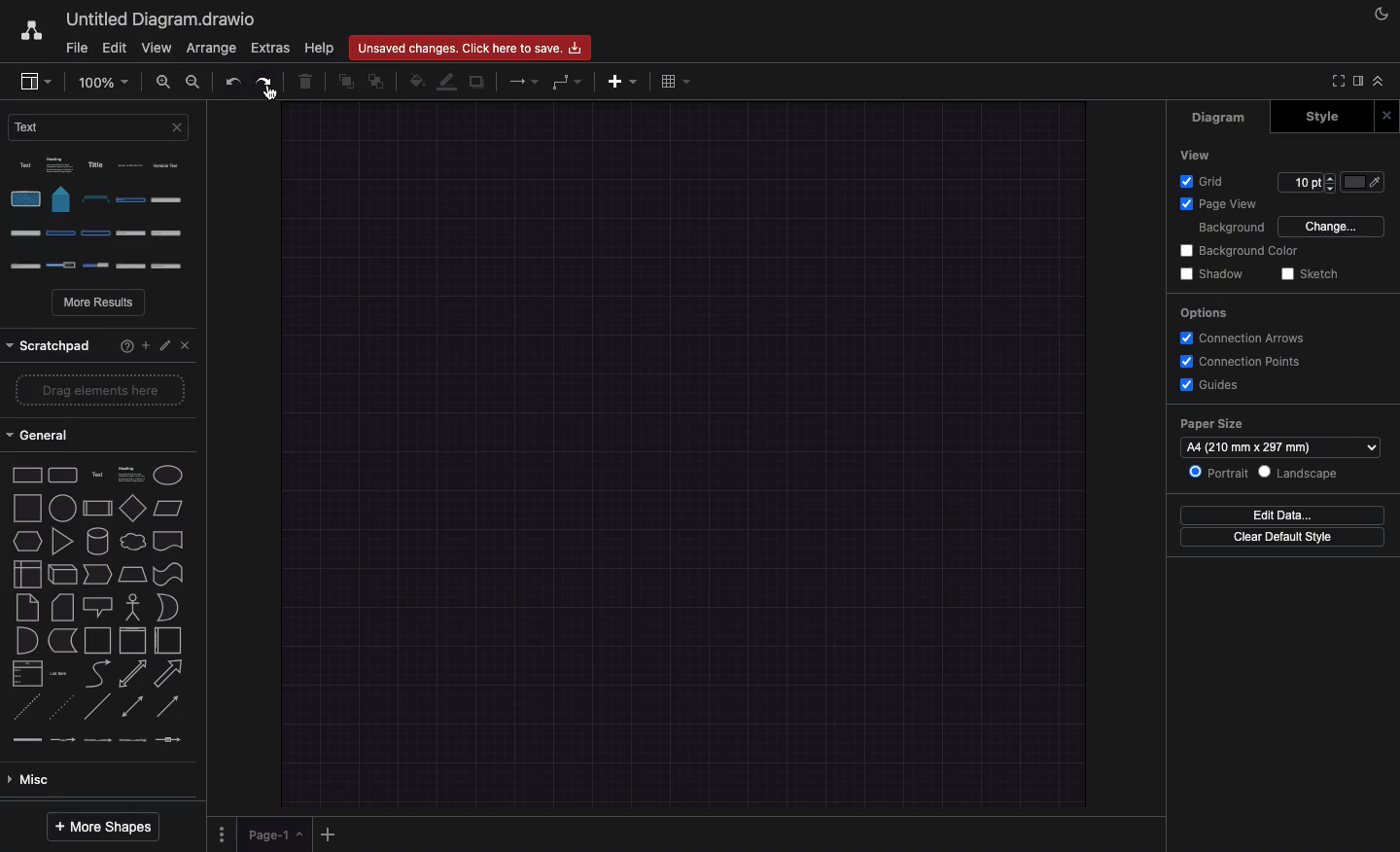 The height and width of the screenshot is (852, 1400). What do you see at coordinates (1283, 536) in the screenshot?
I see `Clear default style` at bounding box center [1283, 536].